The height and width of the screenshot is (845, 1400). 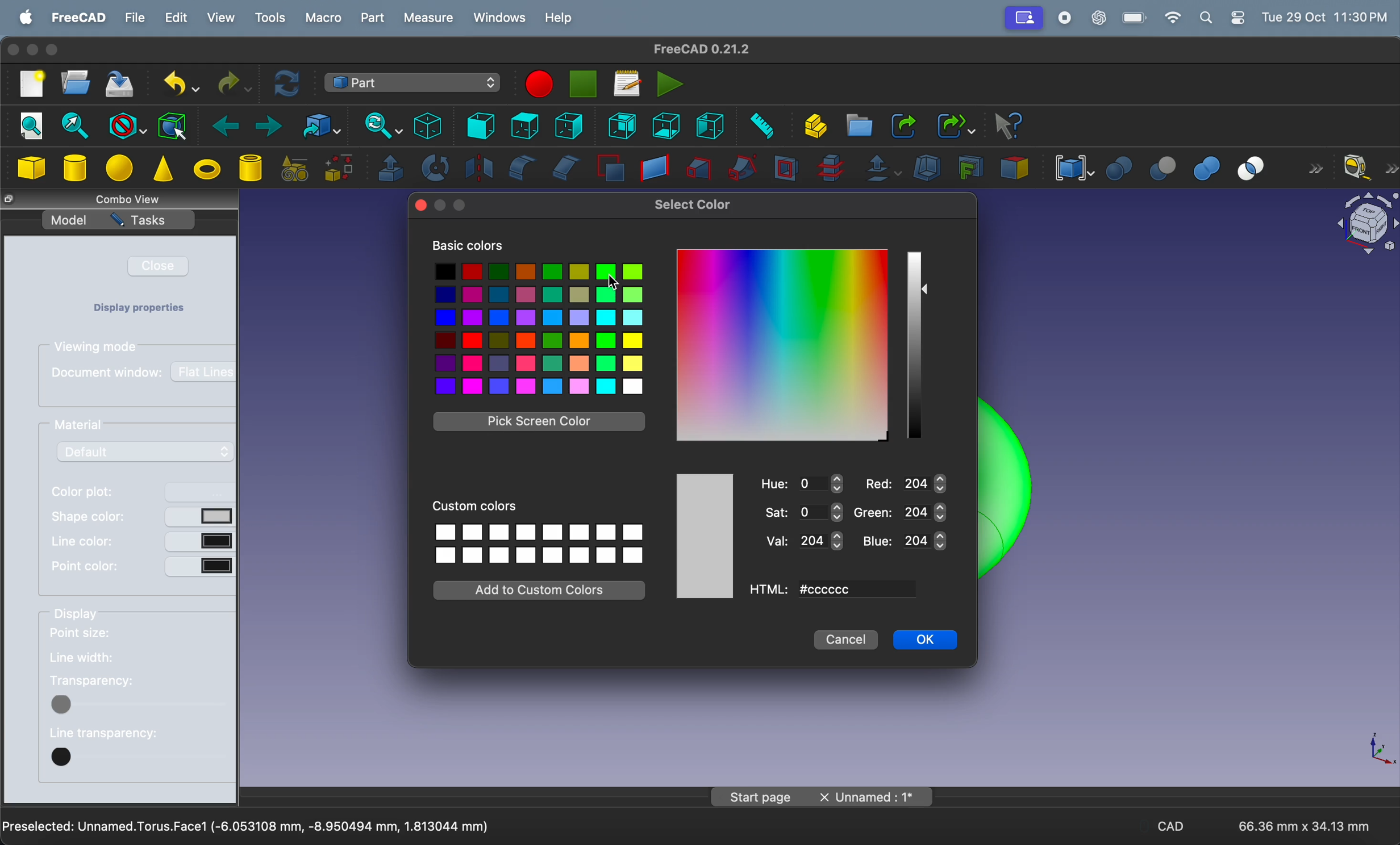 What do you see at coordinates (710, 127) in the screenshot?
I see `left view` at bounding box center [710, 127].